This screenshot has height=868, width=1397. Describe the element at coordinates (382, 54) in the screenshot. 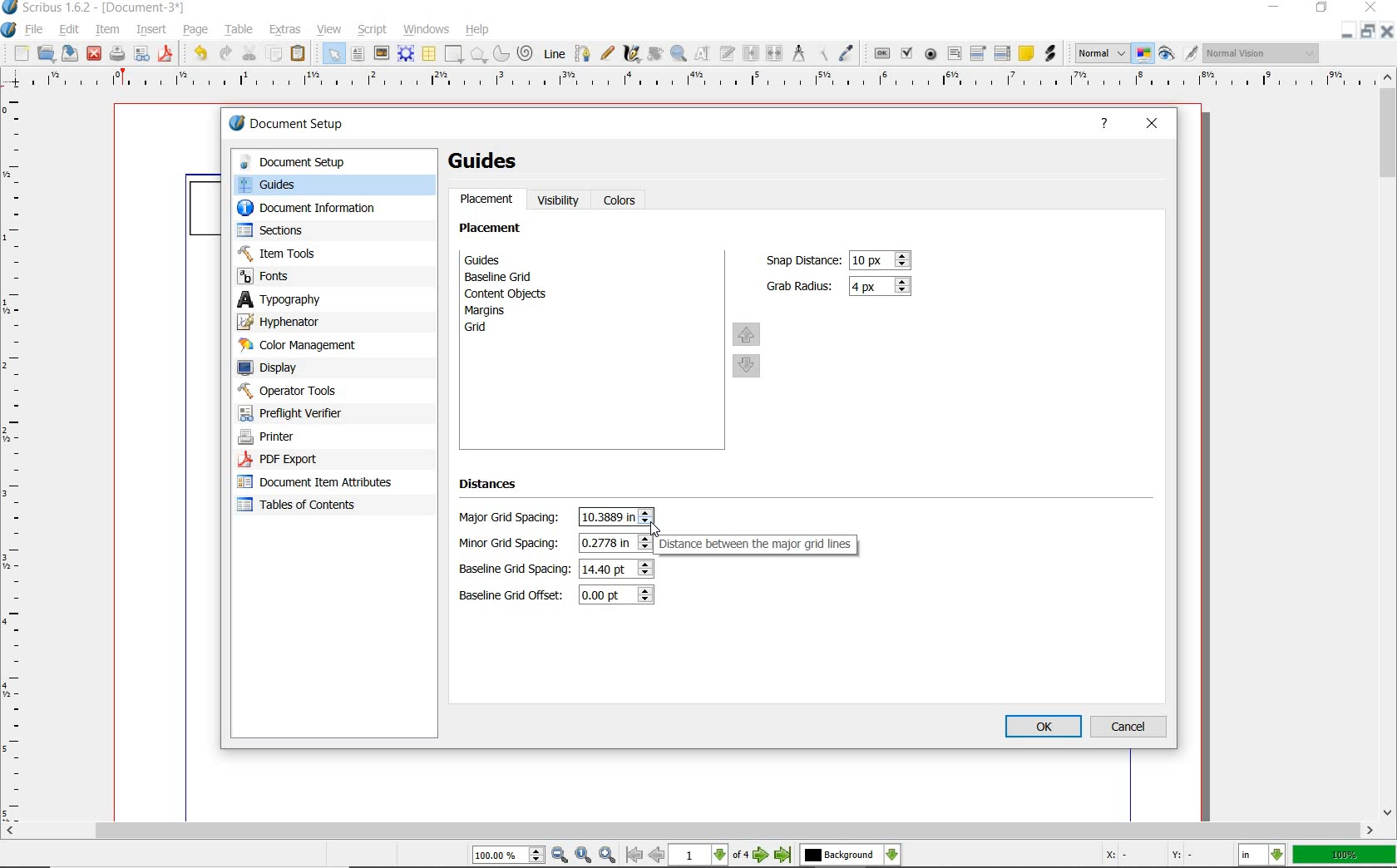

I see `image frame` at that location.